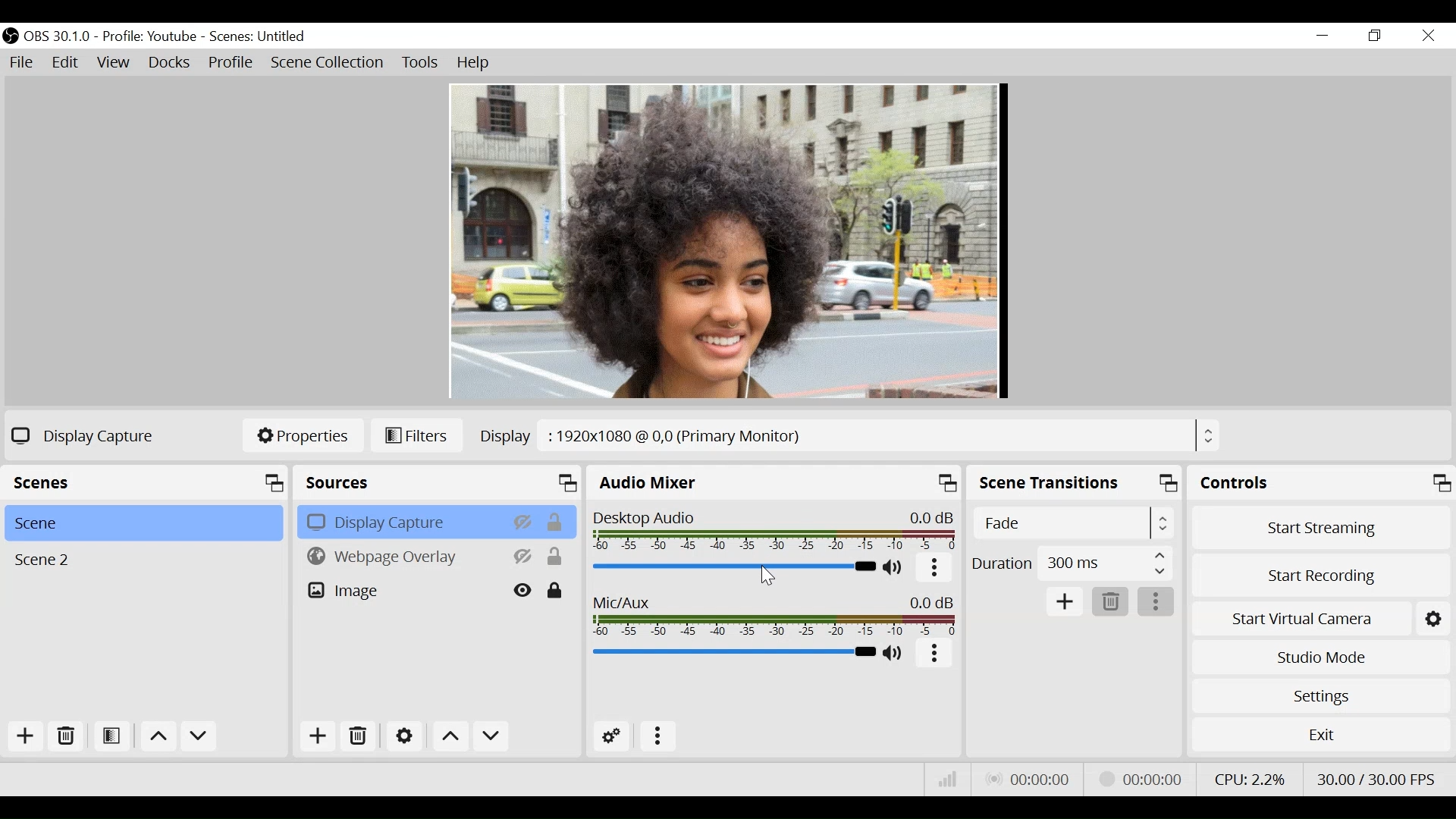 The image size is (1456, 819). I want to click on Start Virtual Camera, so click(1303, 619).